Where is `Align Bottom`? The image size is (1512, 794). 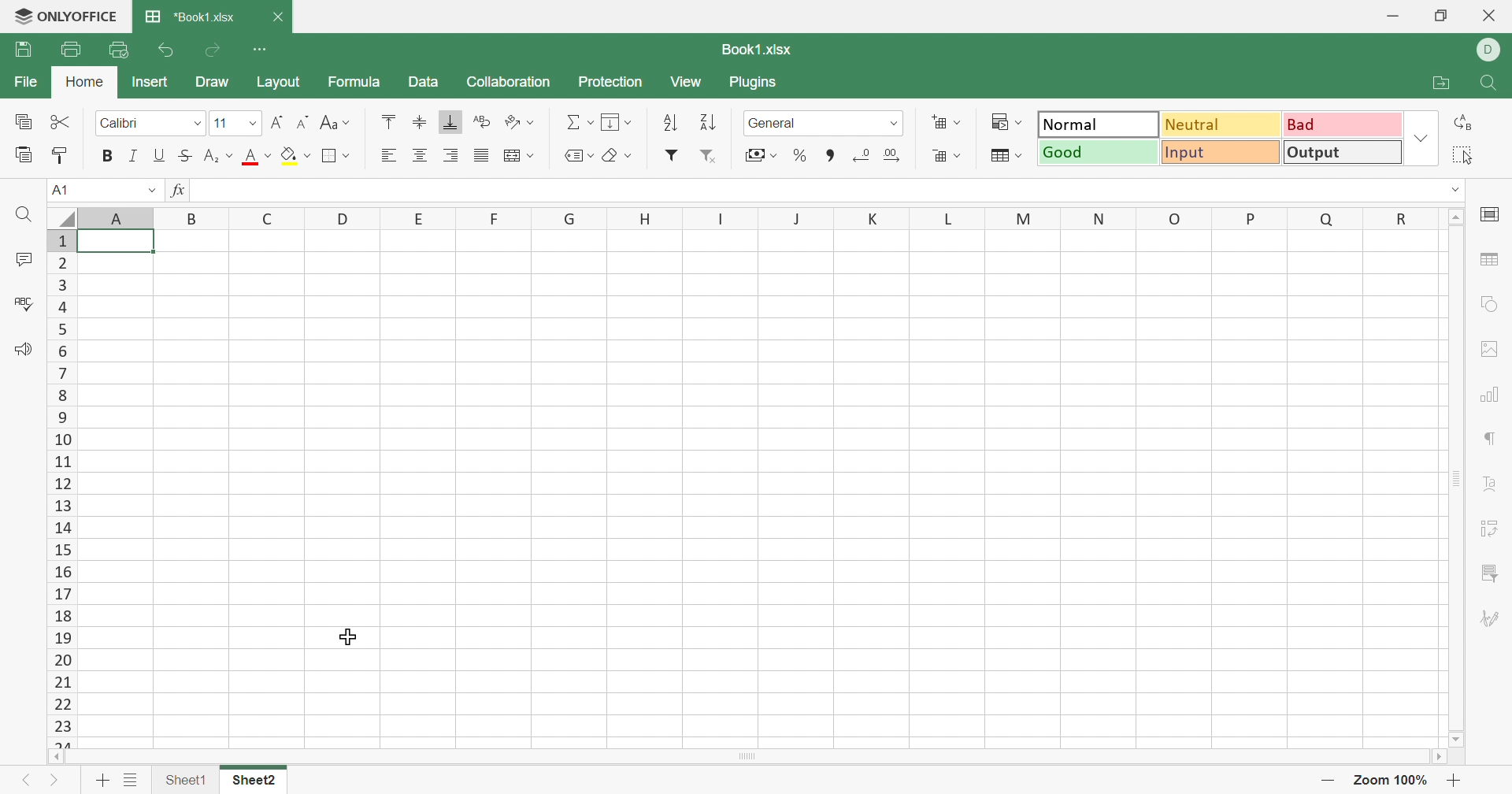 Align Bottom is located at coordinates (452, 121).